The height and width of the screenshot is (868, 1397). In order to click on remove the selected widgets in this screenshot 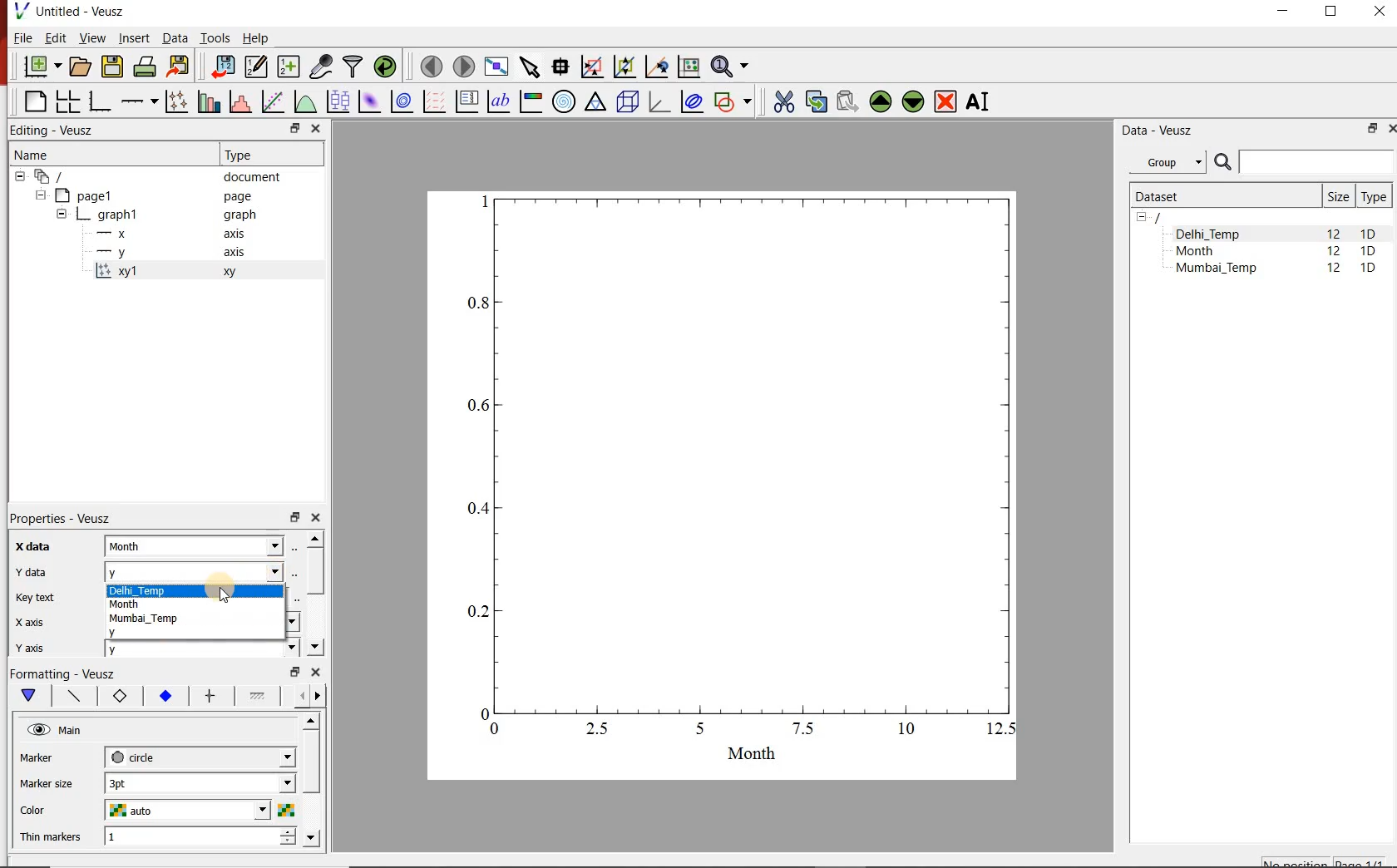, I will do `click(946, 101)`.